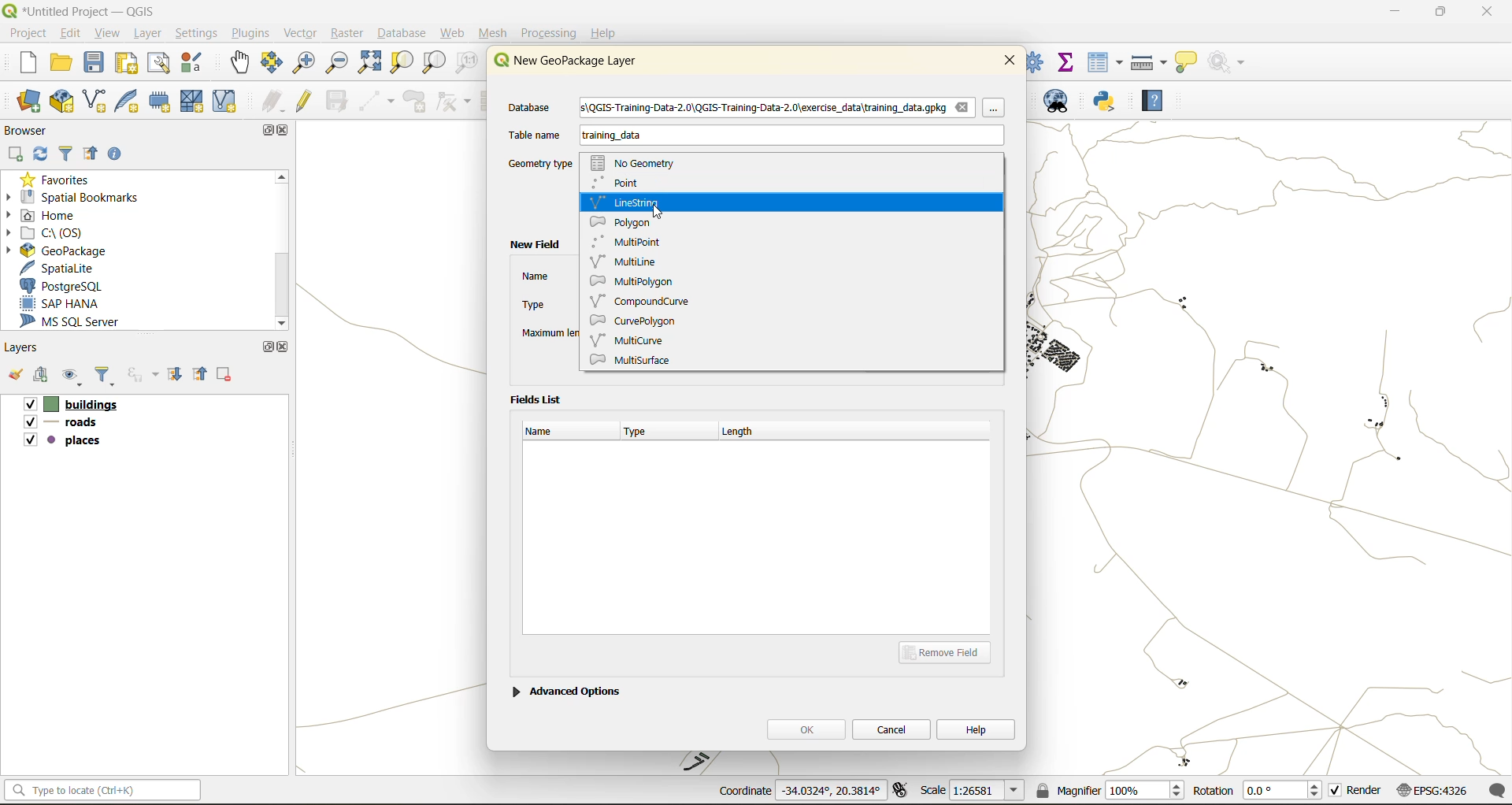 The image size is (1512, 805). What do you see at coordinates (746, 429) in the screenshot?
I see `length` at bounding box center [746, 429].